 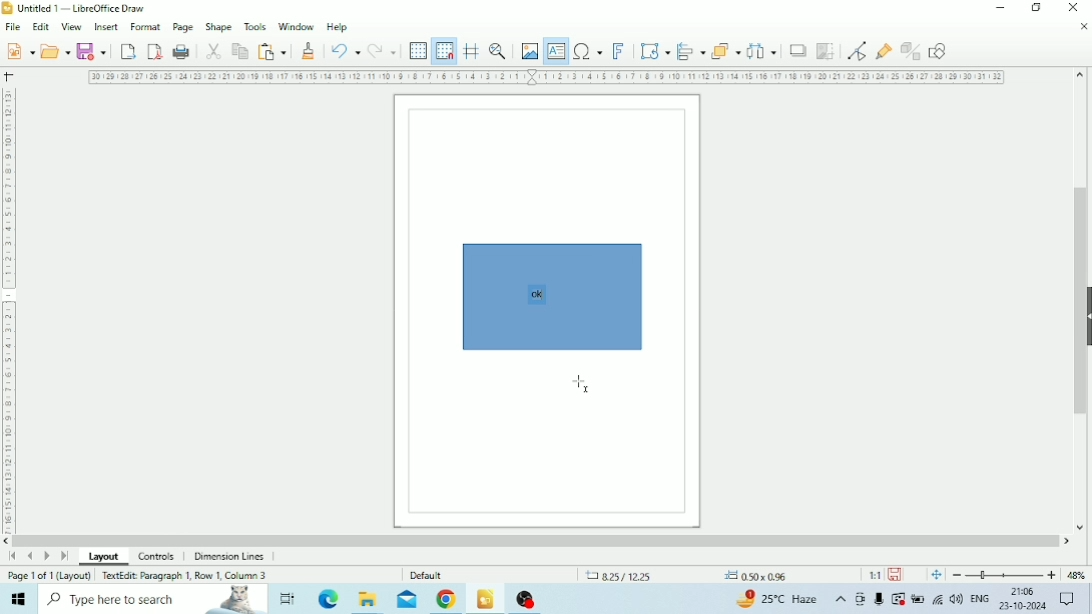 I want to click on Insert Image, so click(x=529, y=52).